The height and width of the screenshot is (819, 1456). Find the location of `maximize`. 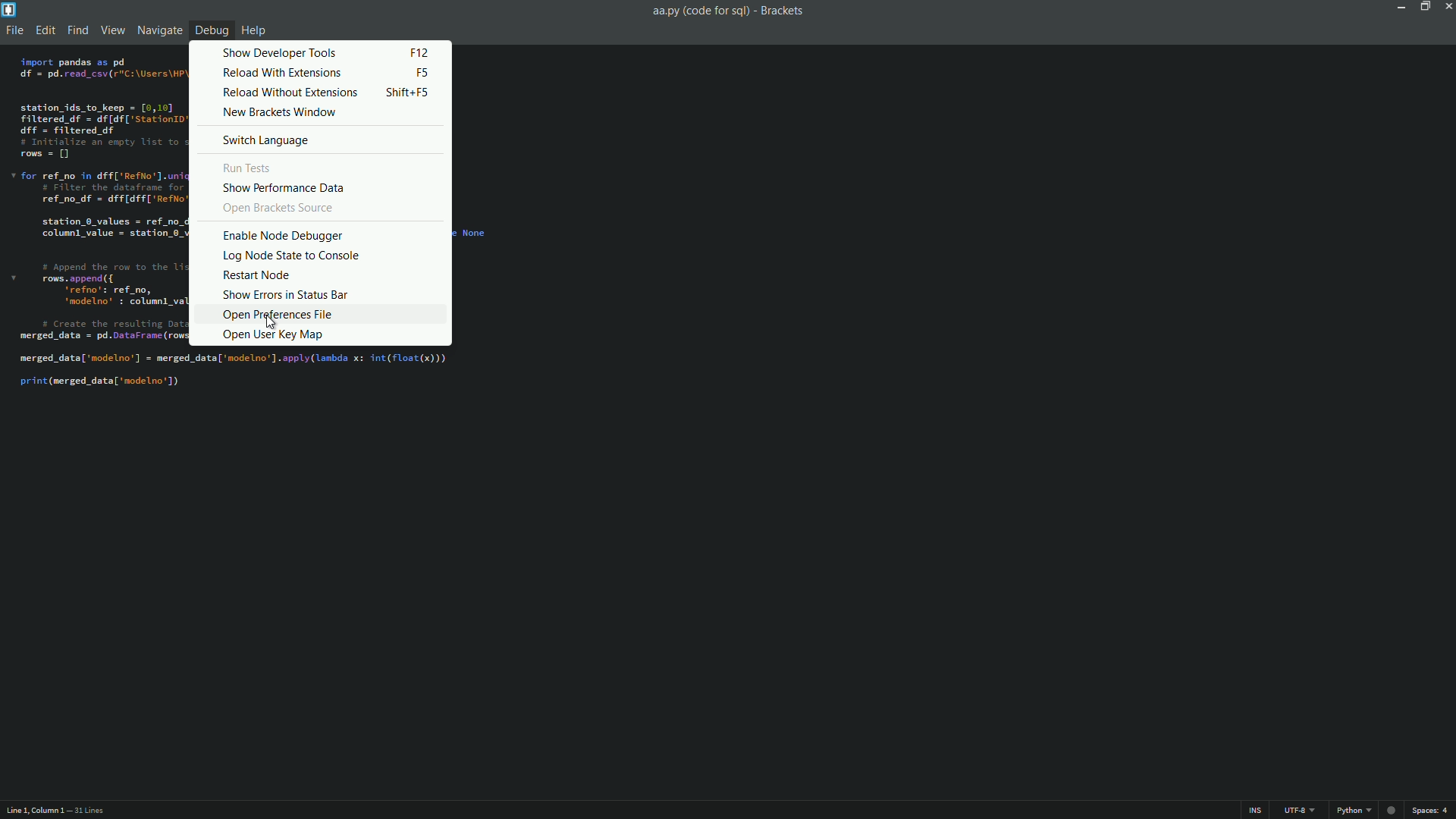

maximize is located at coordinates (1423, 7).